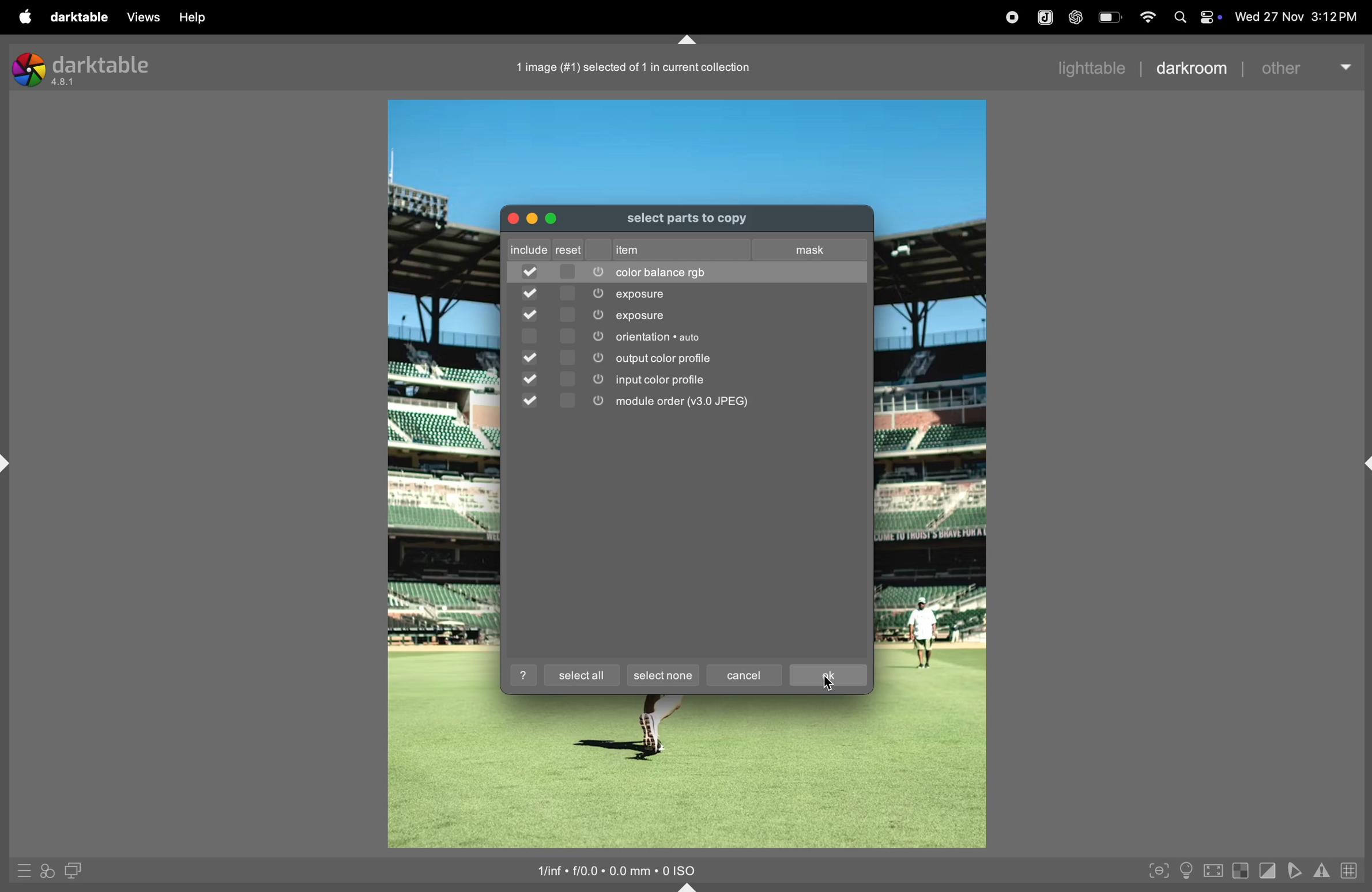  Describe the element at coordinates (703, 221) in the screenshot. I see `select part to copy` at that location.